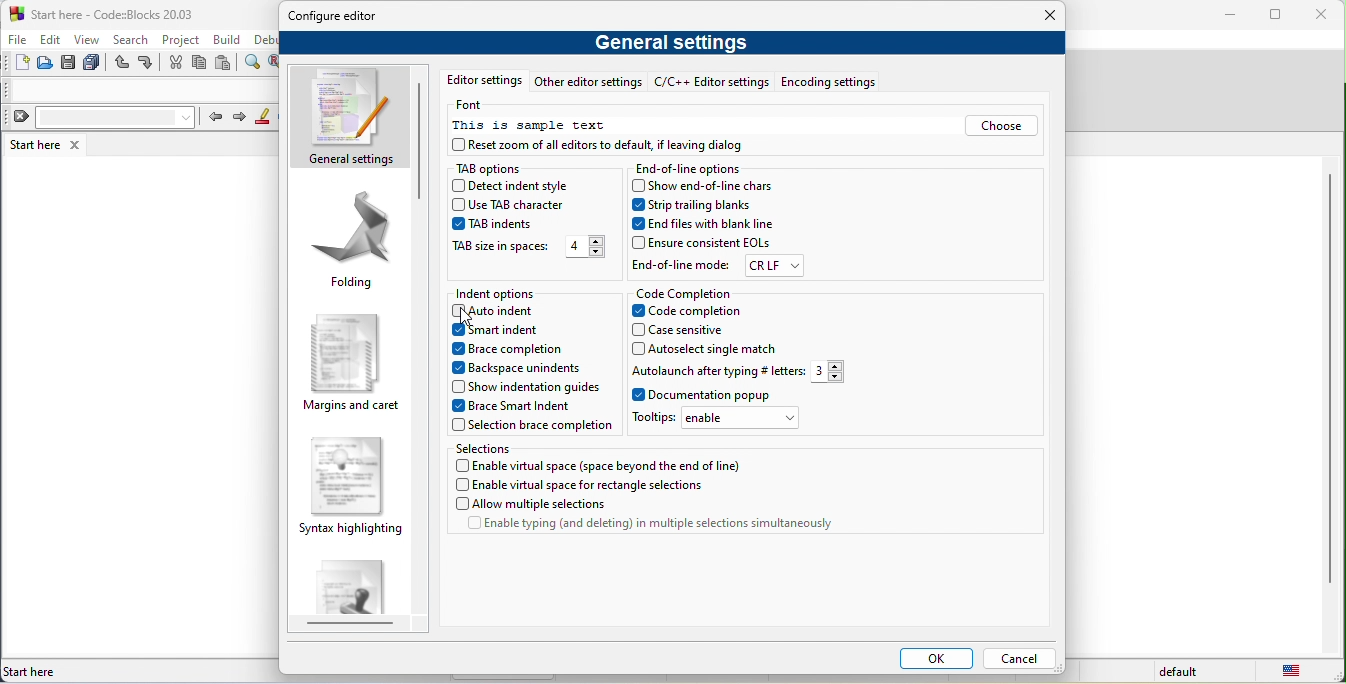 Image resolution: width=1346 pixels, height=684 pixels. Describe the element at coordinates (215, 116) in the screenshot. I see `prev` at that location.